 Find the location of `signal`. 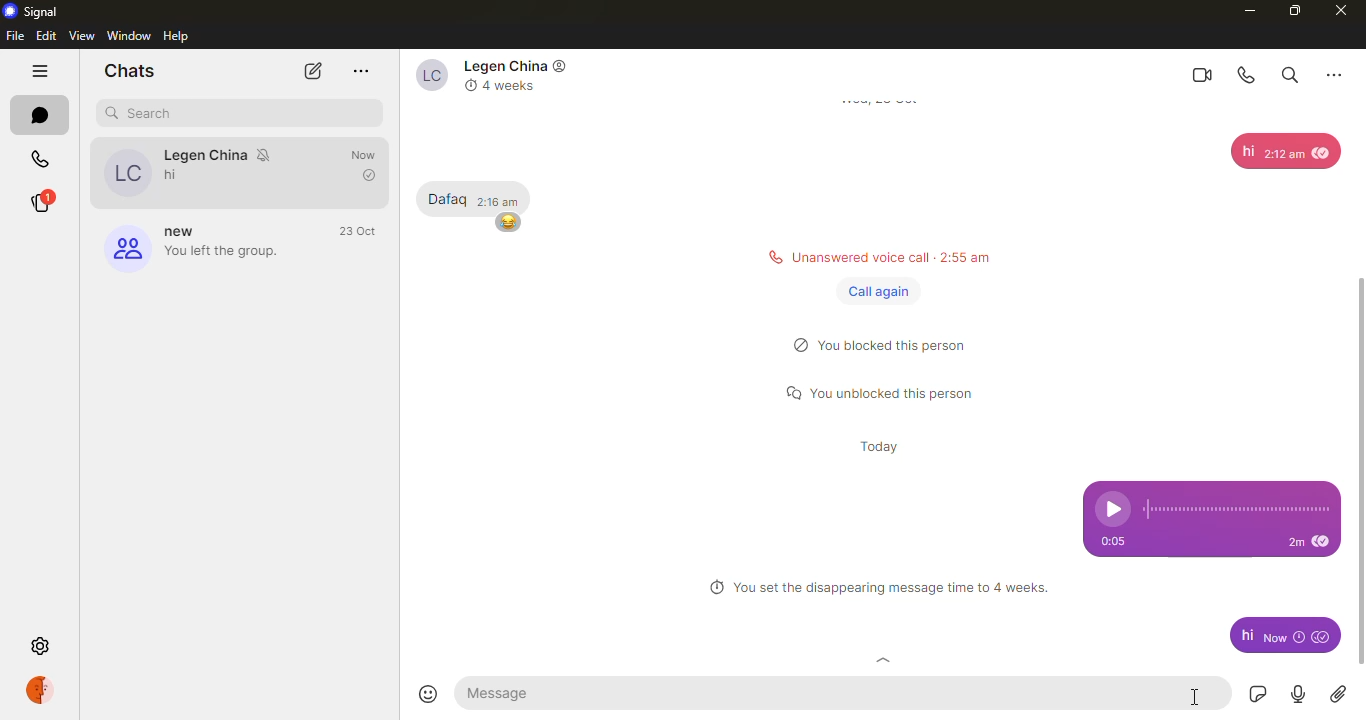

signal is located at coordinates (34, 11).